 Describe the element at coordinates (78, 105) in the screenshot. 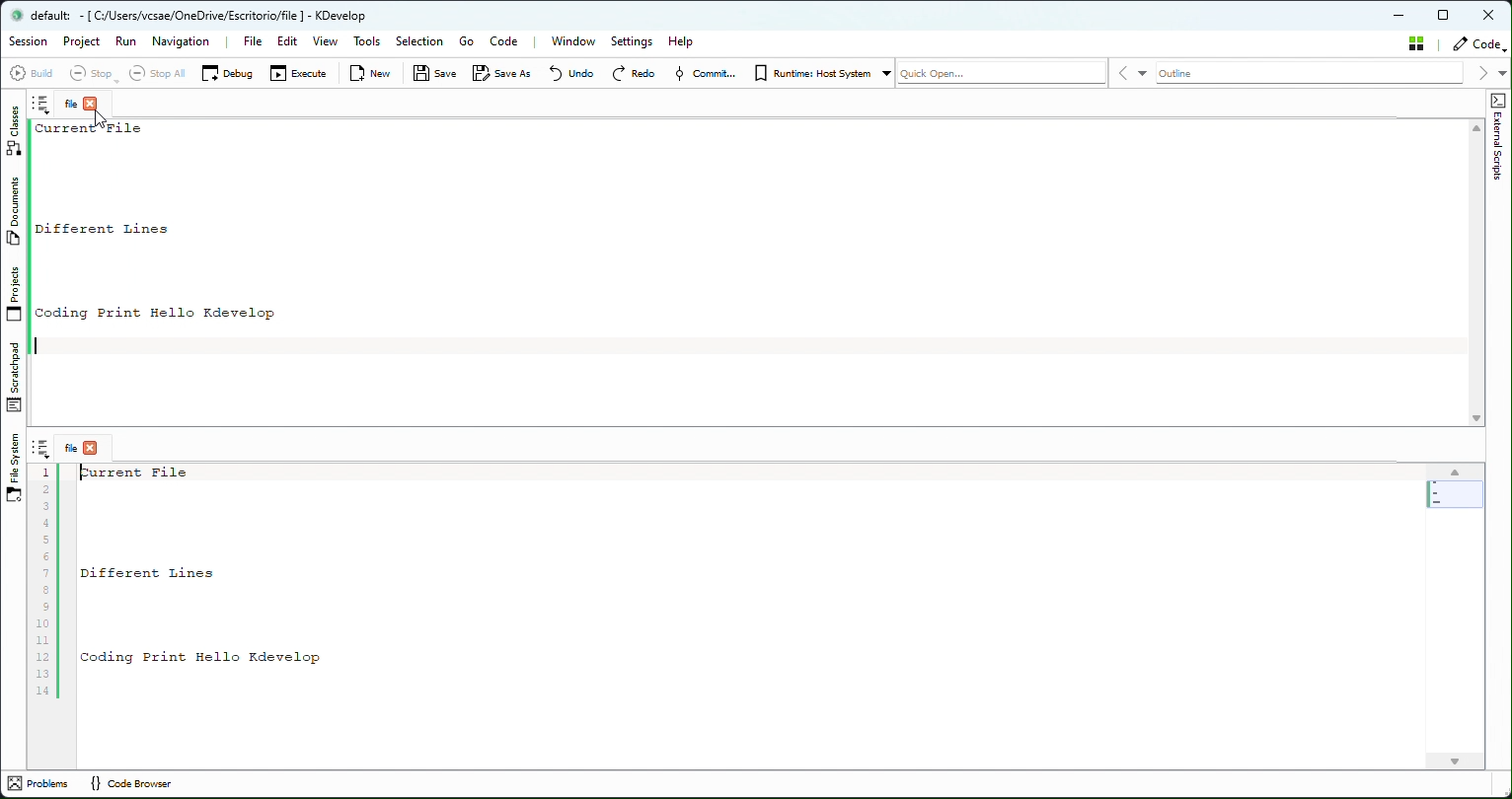

I see `Current File tab` at that location.